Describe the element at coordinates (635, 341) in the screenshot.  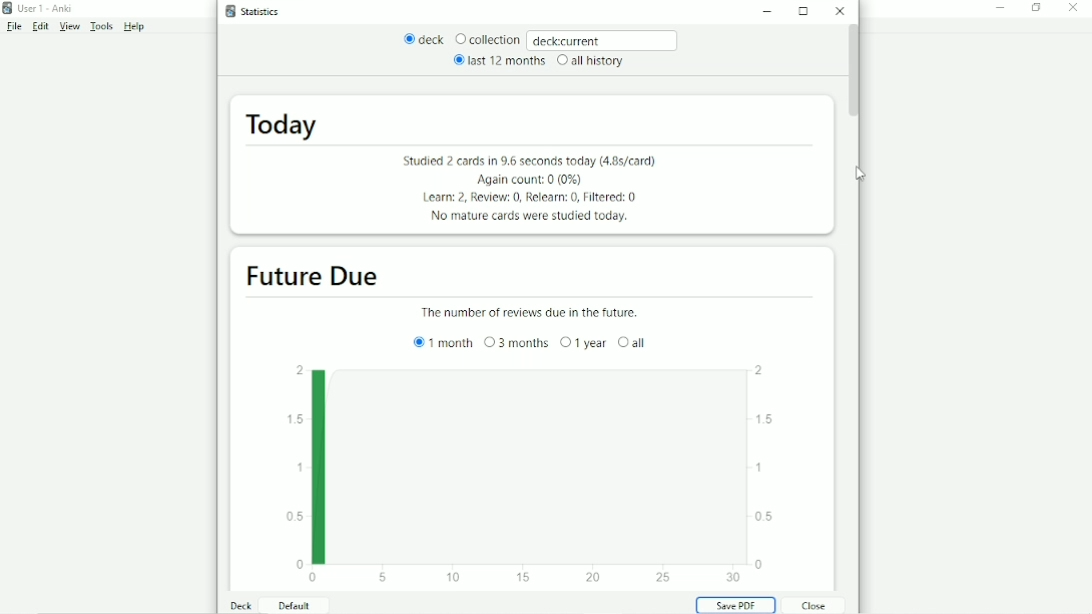
I see `all` at that location.